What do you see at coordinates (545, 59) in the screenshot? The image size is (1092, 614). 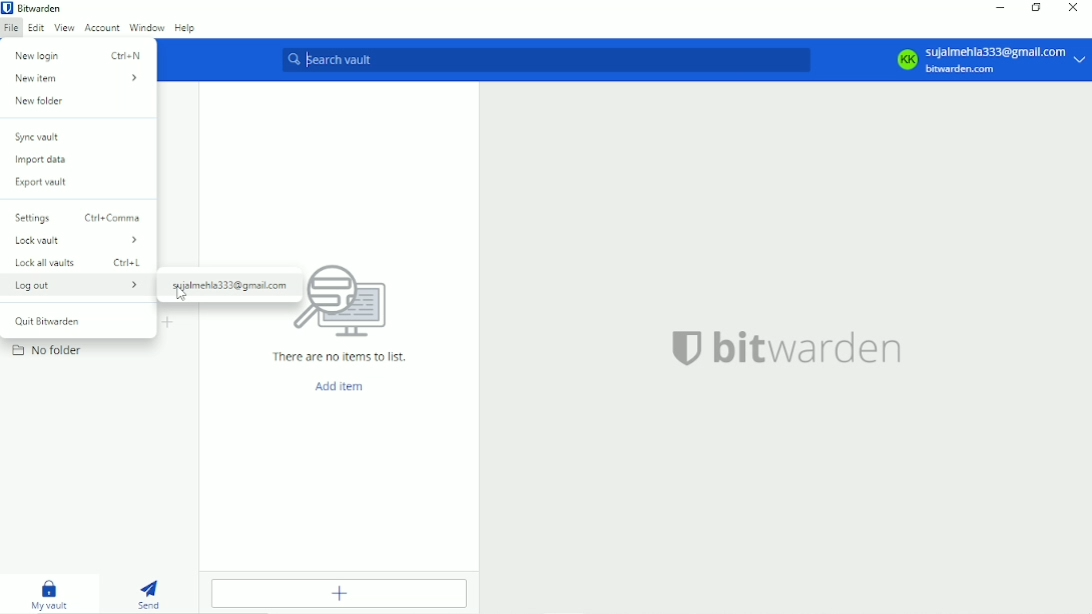 I see `Search vault` at bounding box center [545, 59].